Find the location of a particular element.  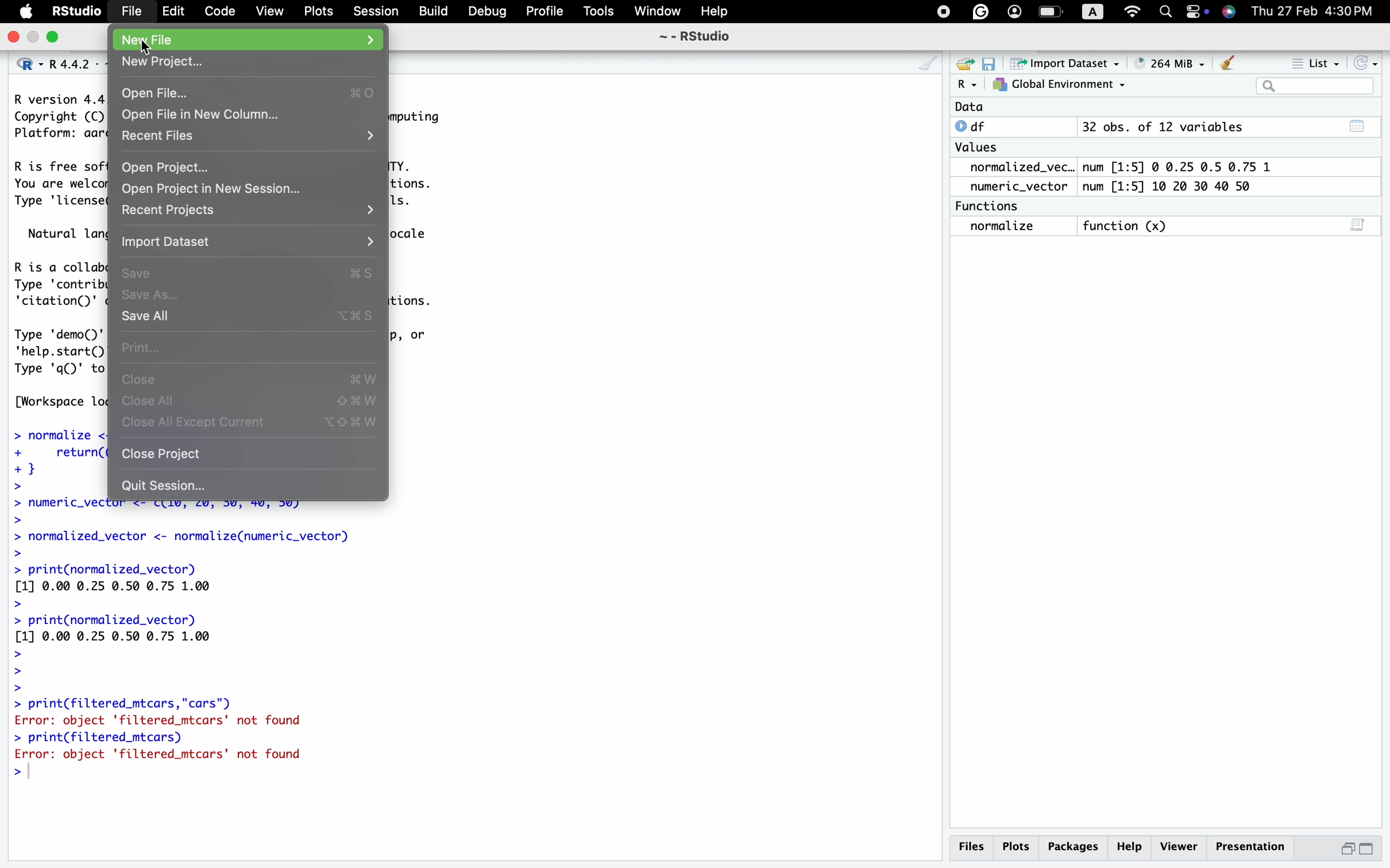

tools is located at coordinates (600, 11).